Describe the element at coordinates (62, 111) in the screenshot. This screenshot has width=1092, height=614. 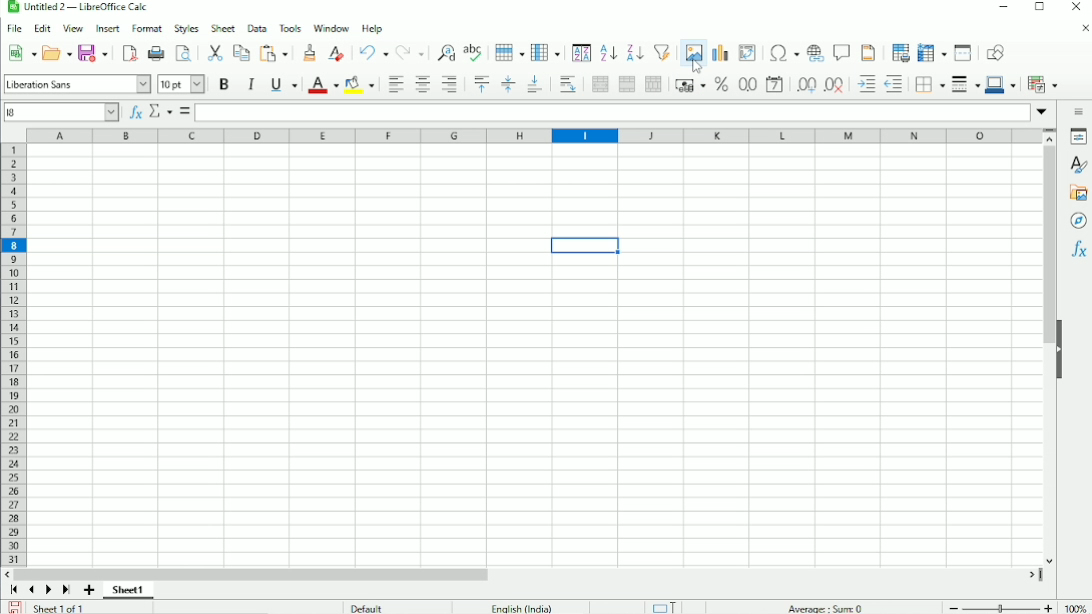
I see `Active cell` at that location.